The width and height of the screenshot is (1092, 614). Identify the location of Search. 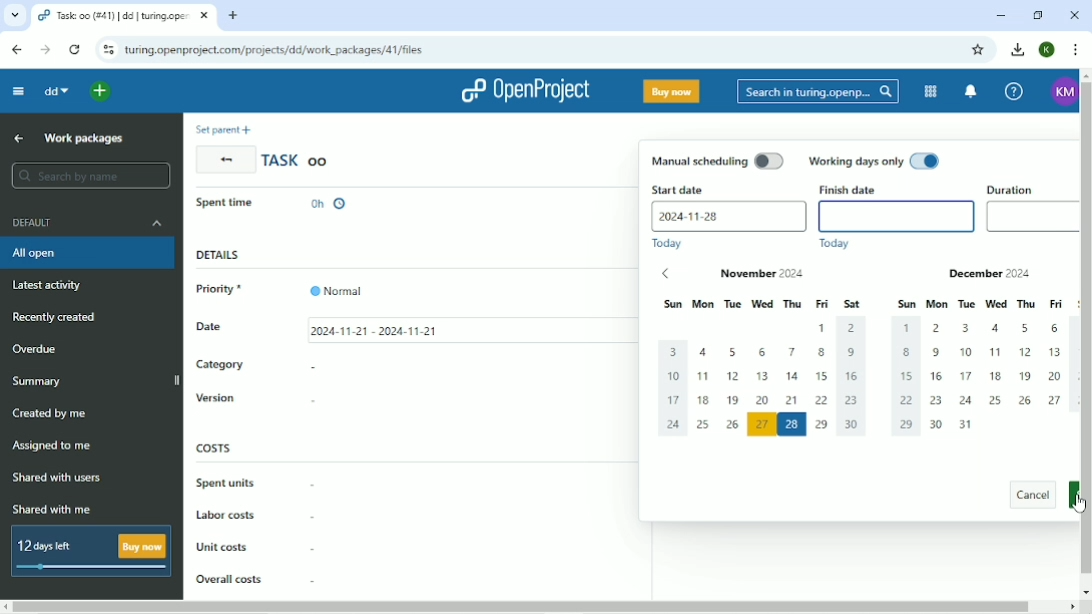
(818, 91).